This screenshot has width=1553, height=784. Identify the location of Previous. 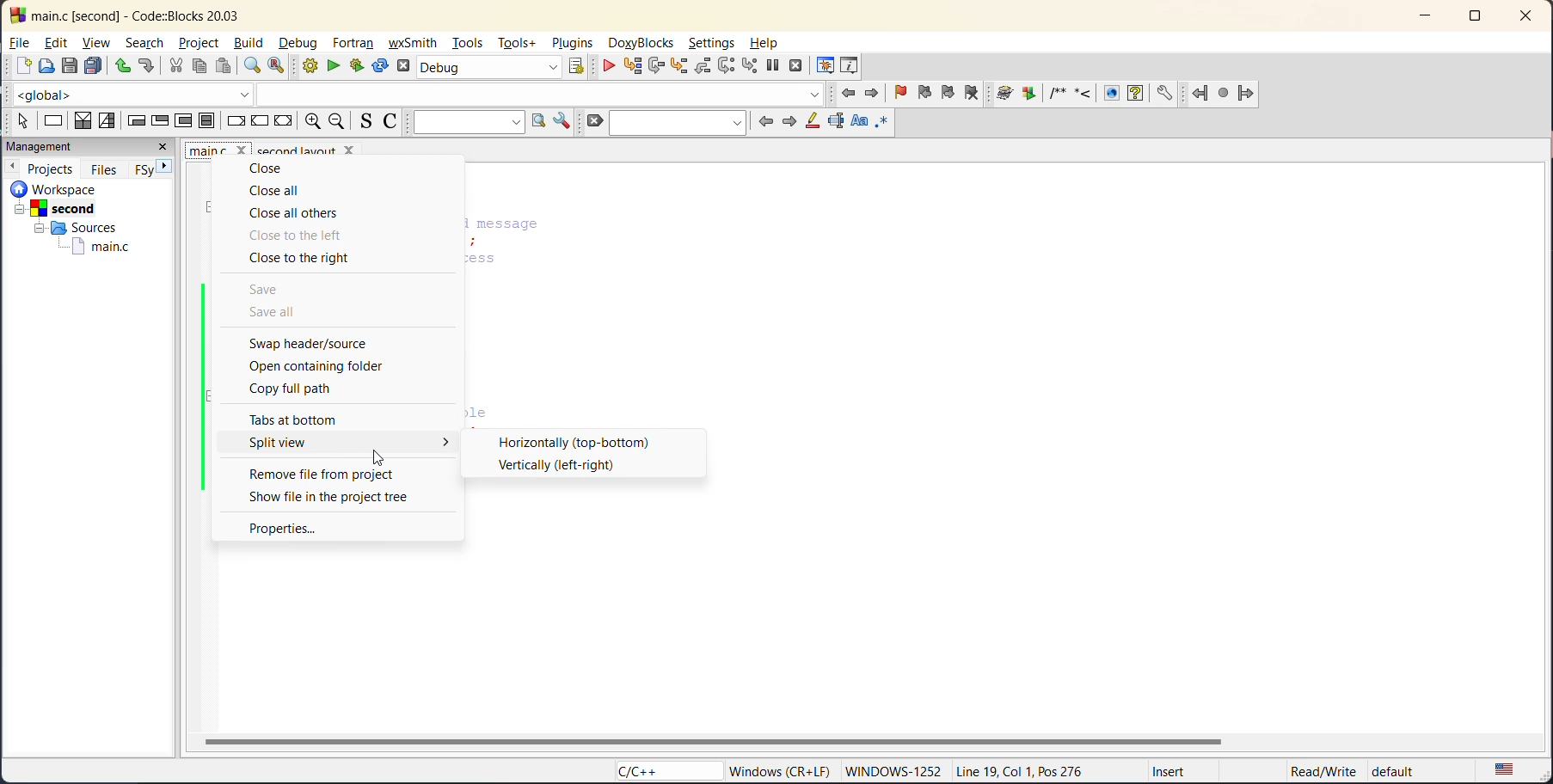
(15, 165).